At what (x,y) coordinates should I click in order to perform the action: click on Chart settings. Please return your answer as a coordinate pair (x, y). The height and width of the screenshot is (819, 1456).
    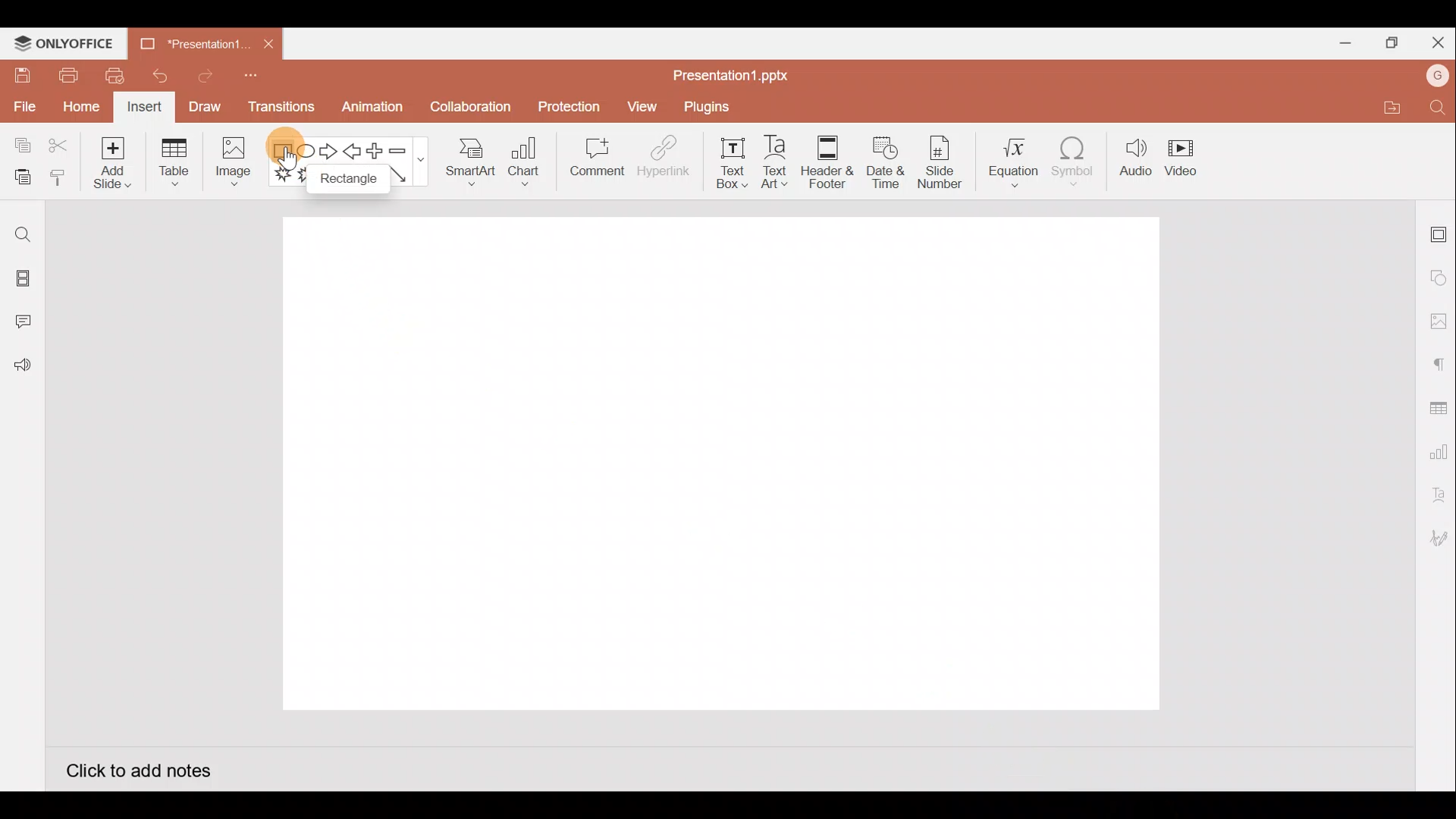
    Looking at the image, I should click on (1436, 449).